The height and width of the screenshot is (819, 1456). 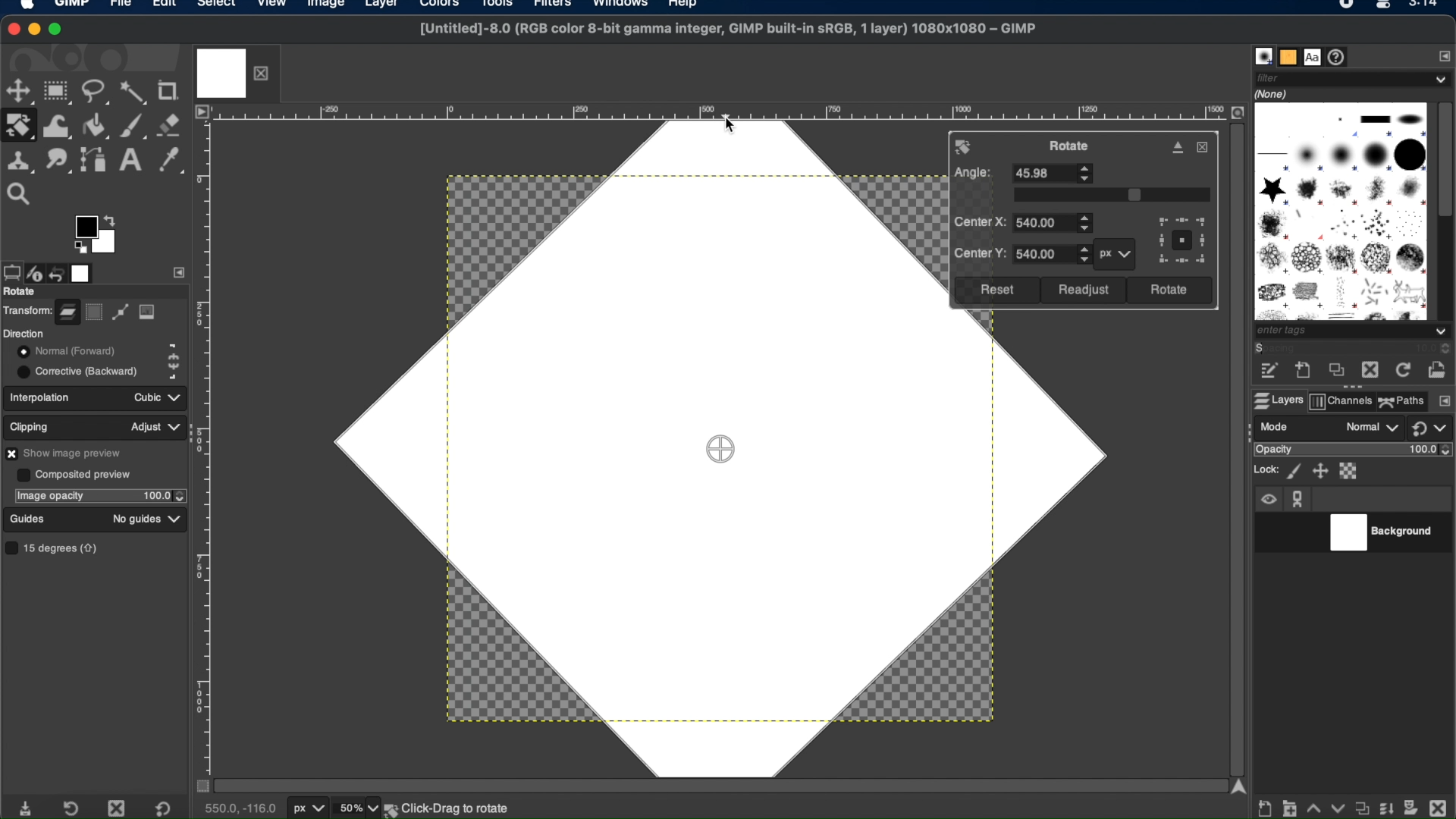 I want to click on px, so click(x=1112, y=254).